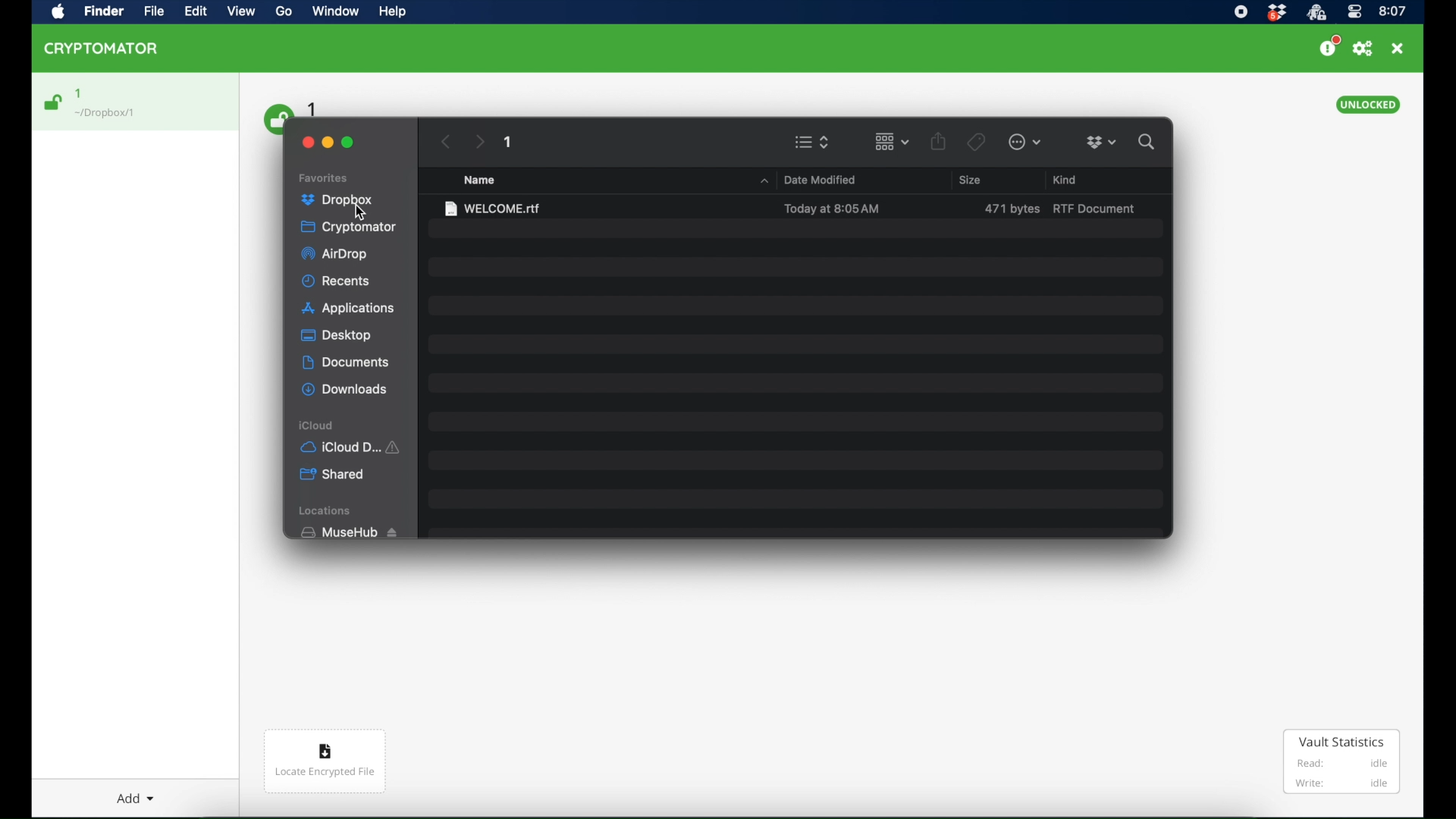  I want to click on control center, so click(1354, 12).